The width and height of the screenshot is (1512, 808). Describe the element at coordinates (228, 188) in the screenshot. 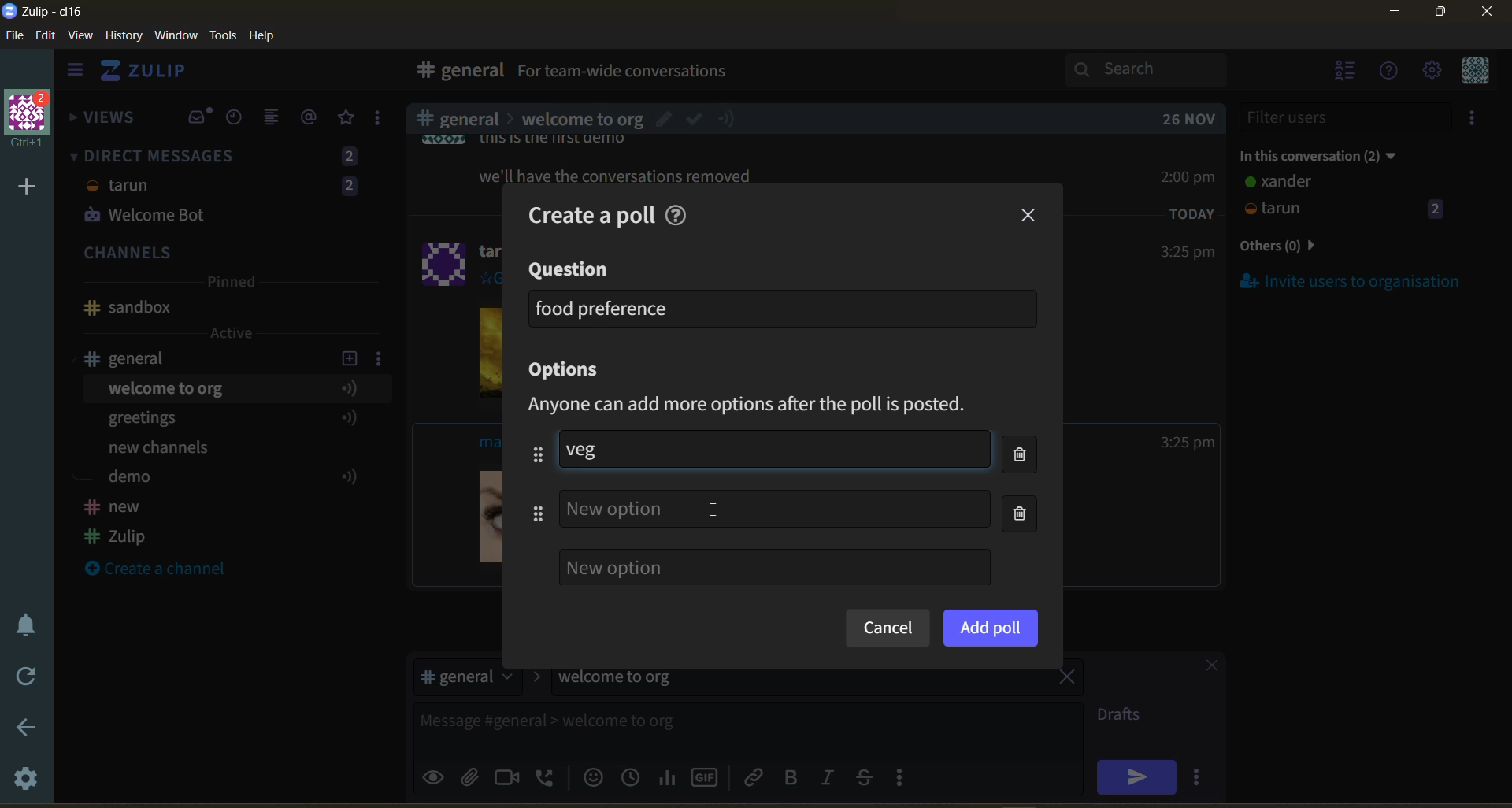

I see `direct messages` at that location.